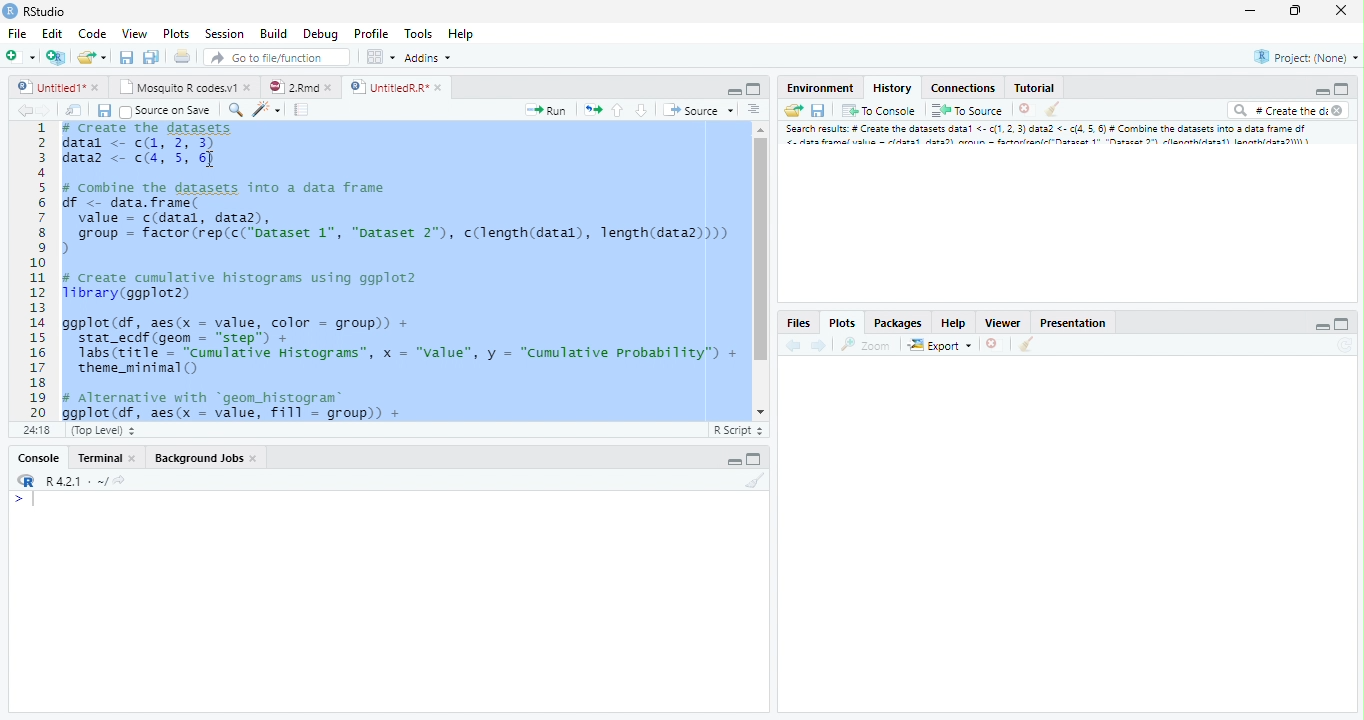 Image resolution: width=1364 pixels, height=720 pixels. I want to click on Code, so click(91, 35).